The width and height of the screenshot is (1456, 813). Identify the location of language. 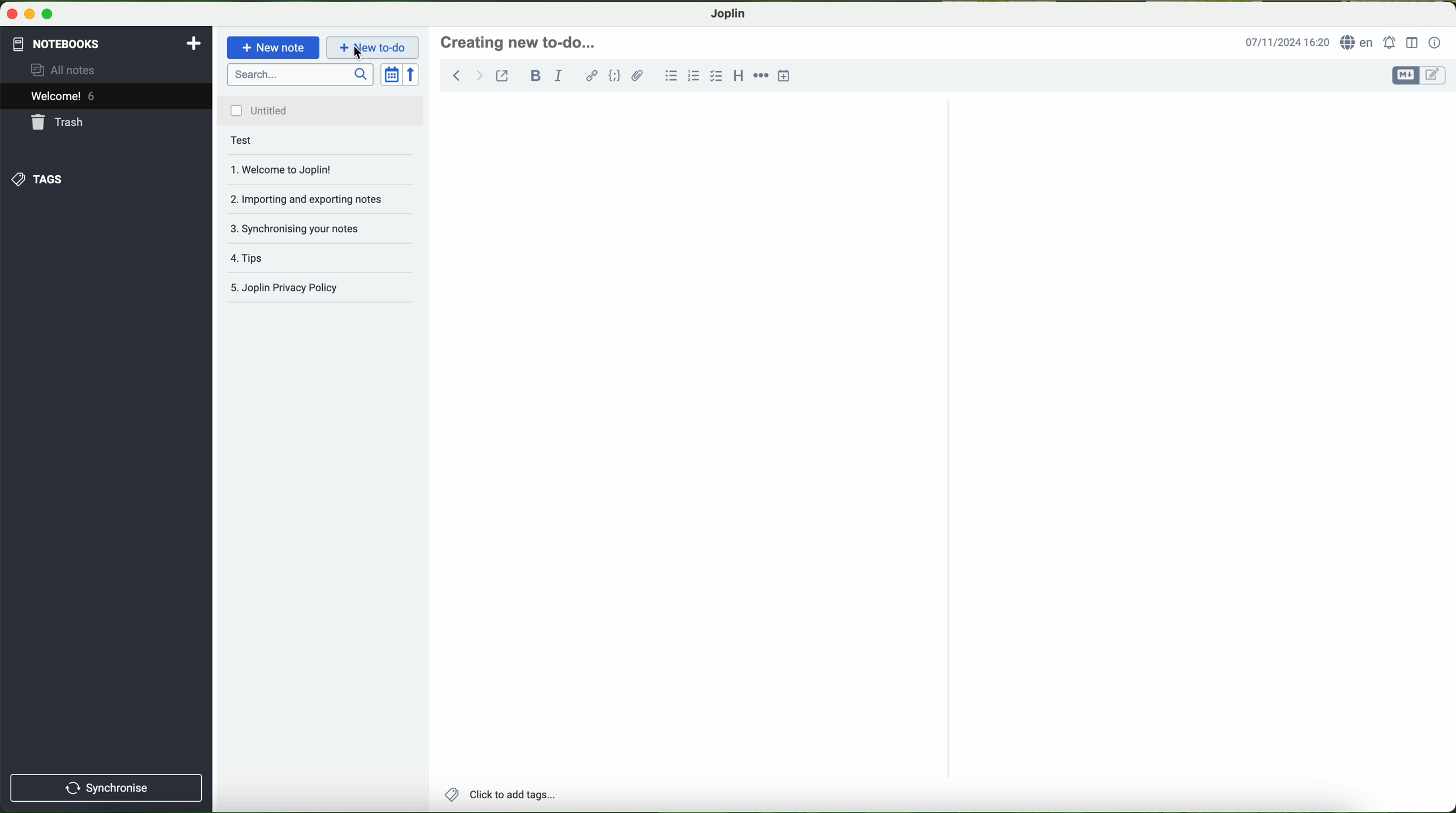
(1359, 44).